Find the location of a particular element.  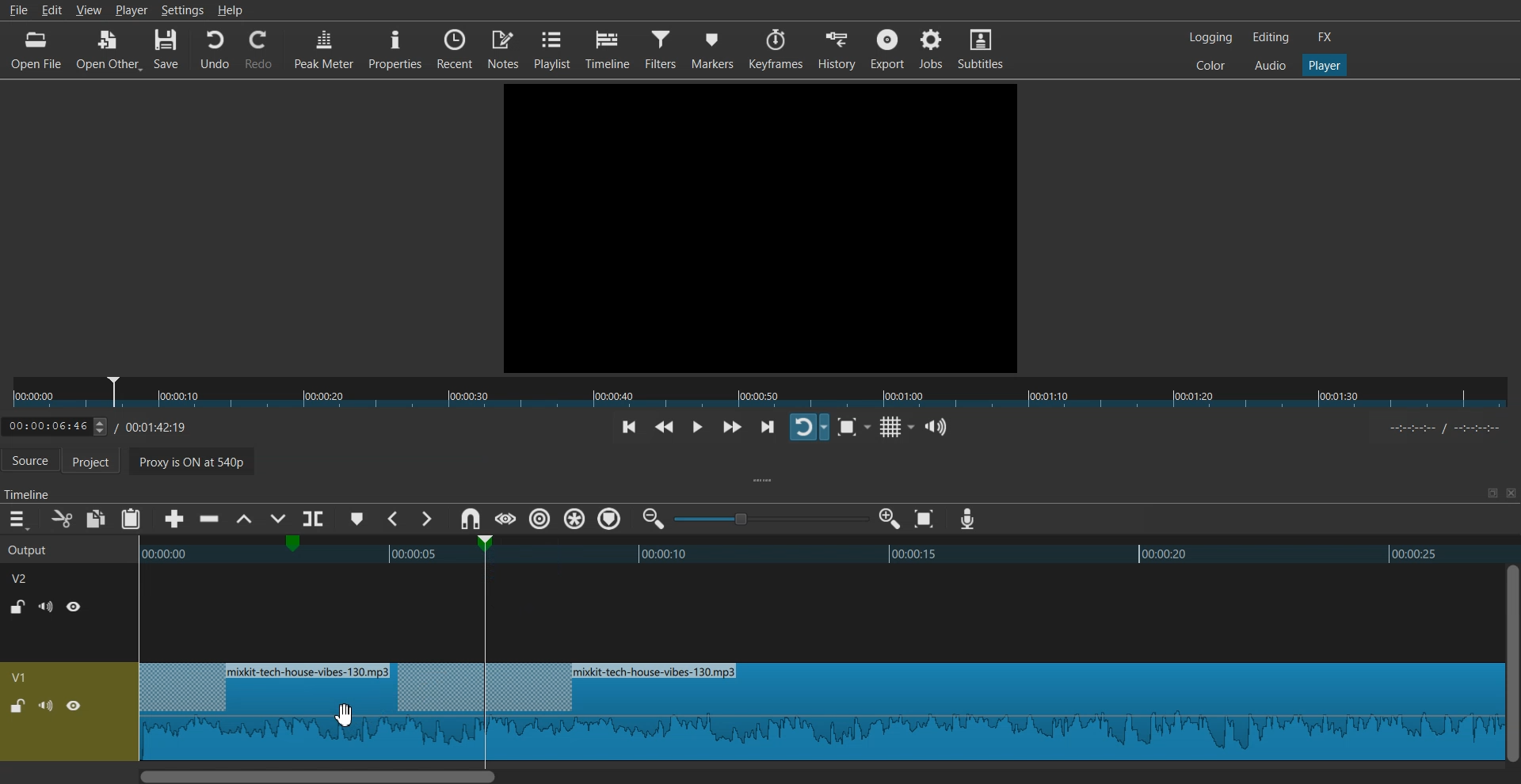

Settings is located at coordinates (182, 10).